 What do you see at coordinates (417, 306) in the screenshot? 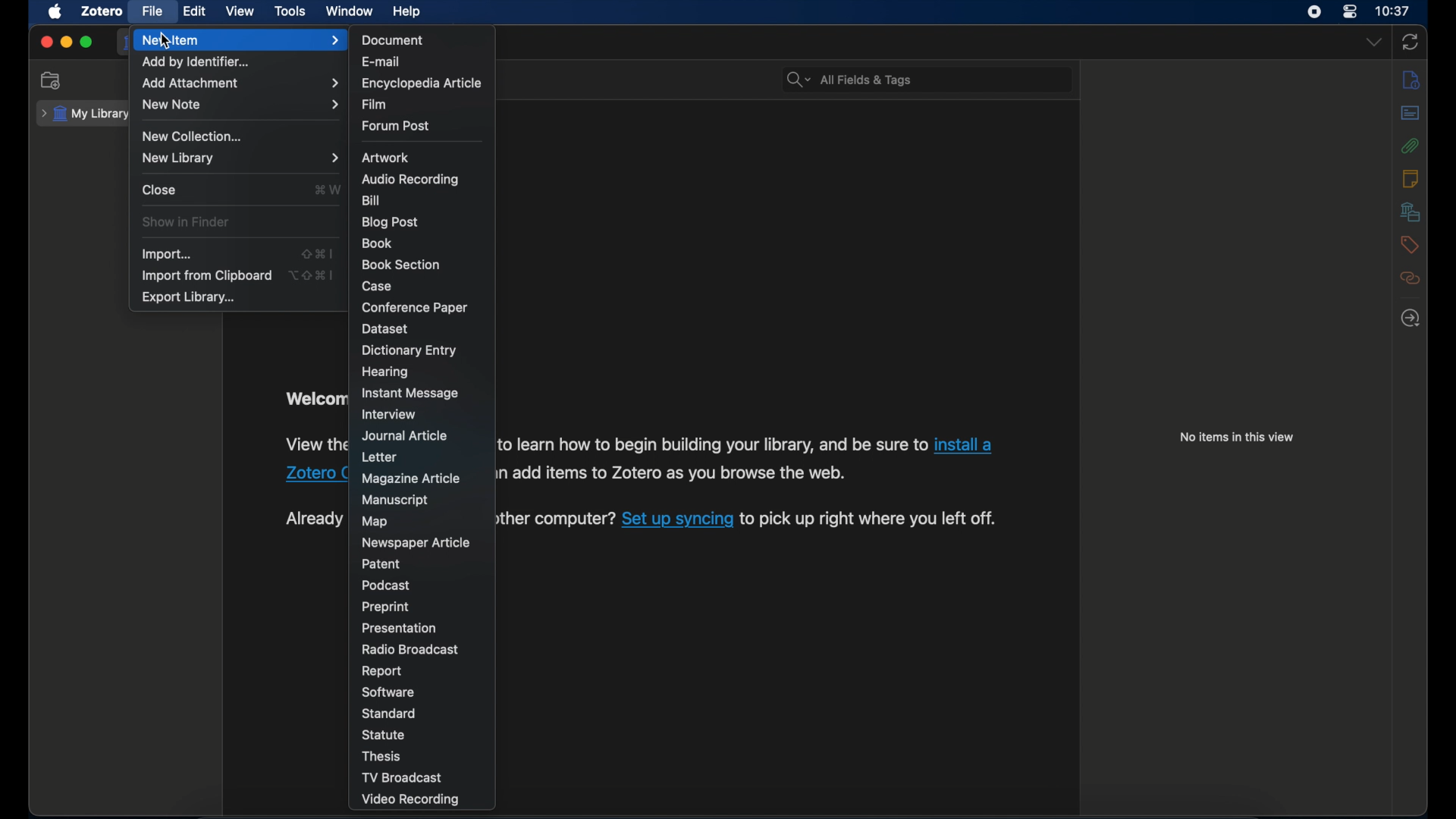
I see `conference paper` at bounding box center [417, 306].